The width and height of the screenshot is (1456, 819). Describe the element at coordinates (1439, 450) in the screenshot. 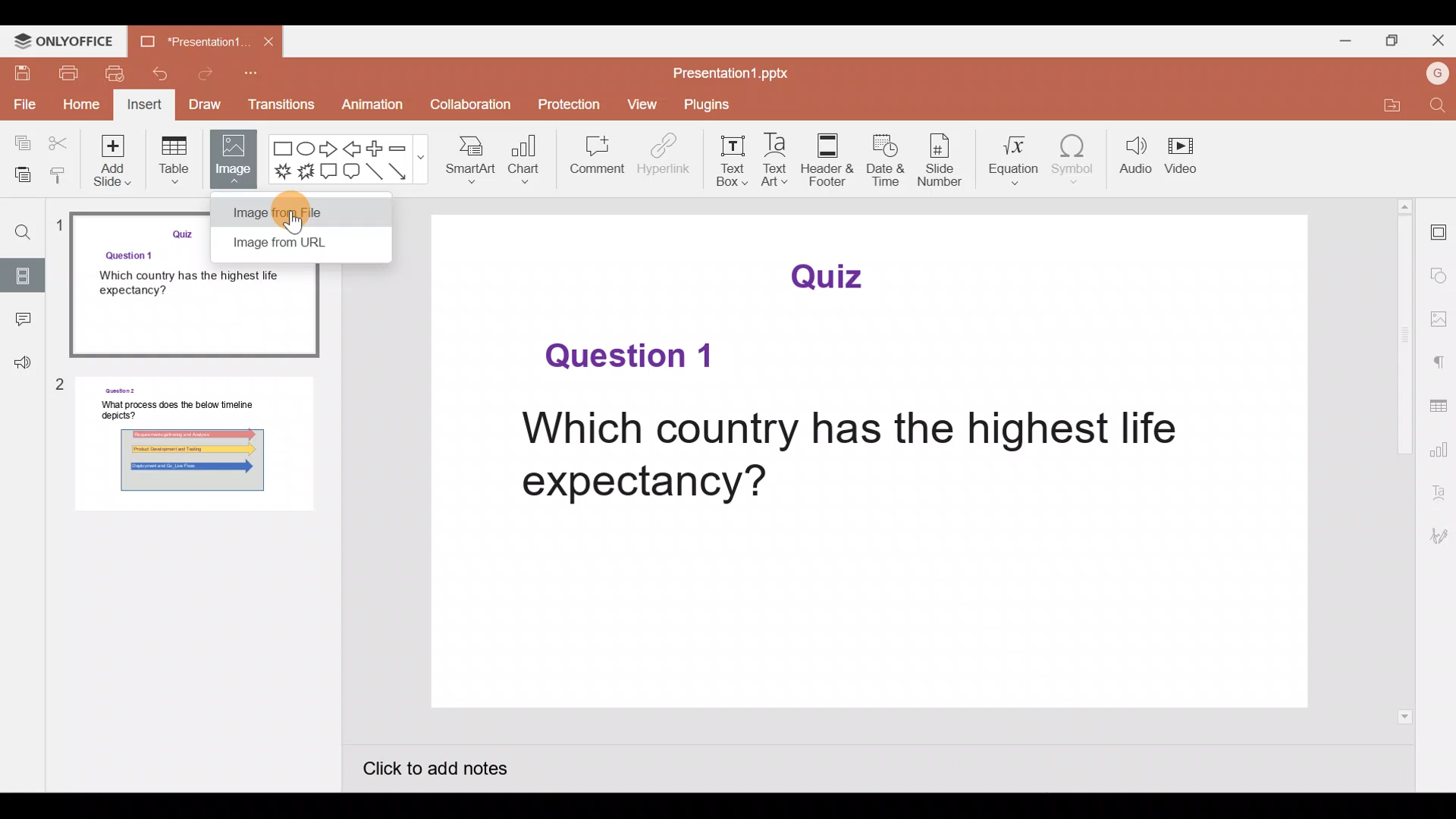

I see `Chart settings` at that location.